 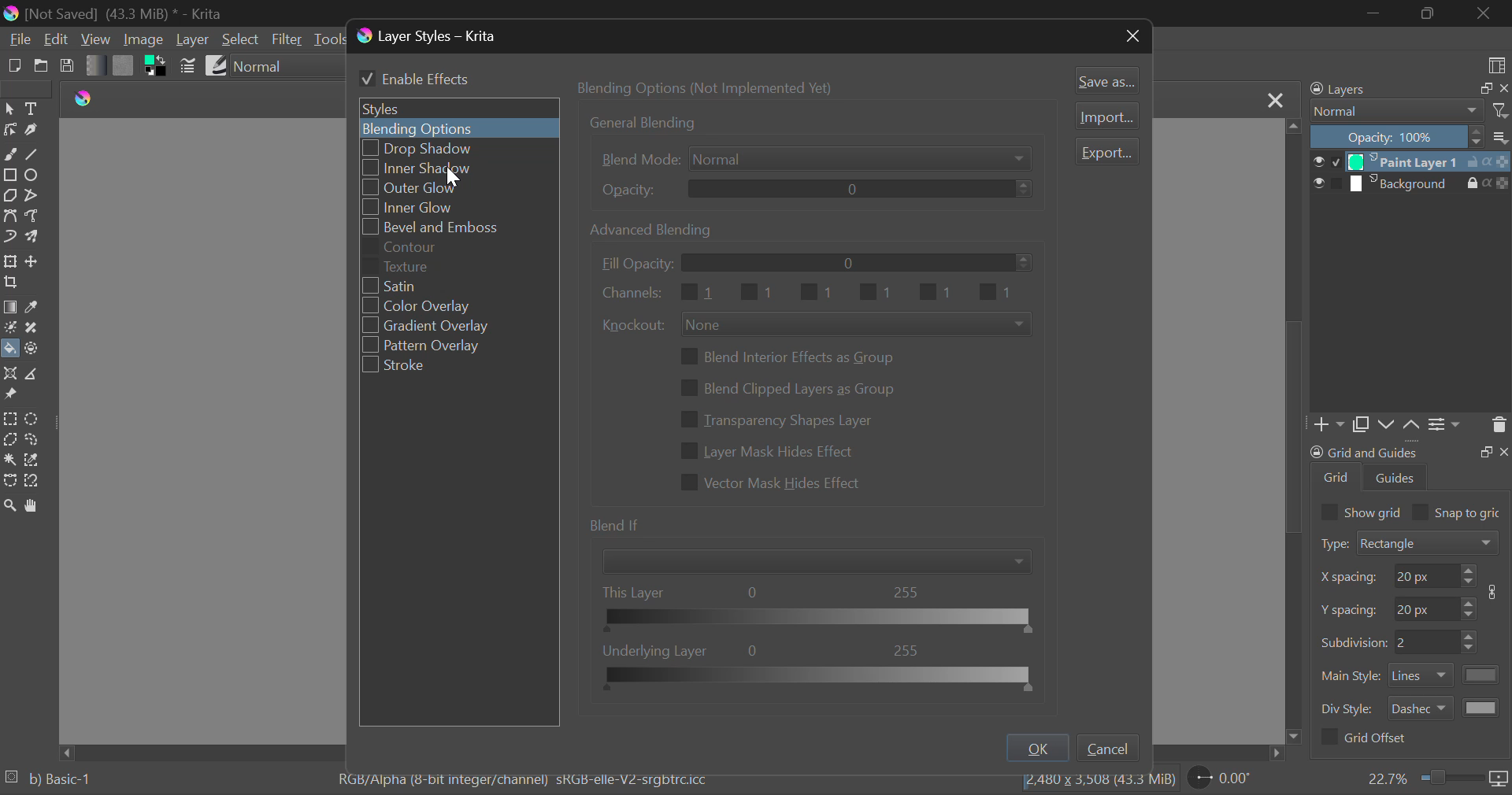 I want to click on cursor, so click(x=453, y=179).